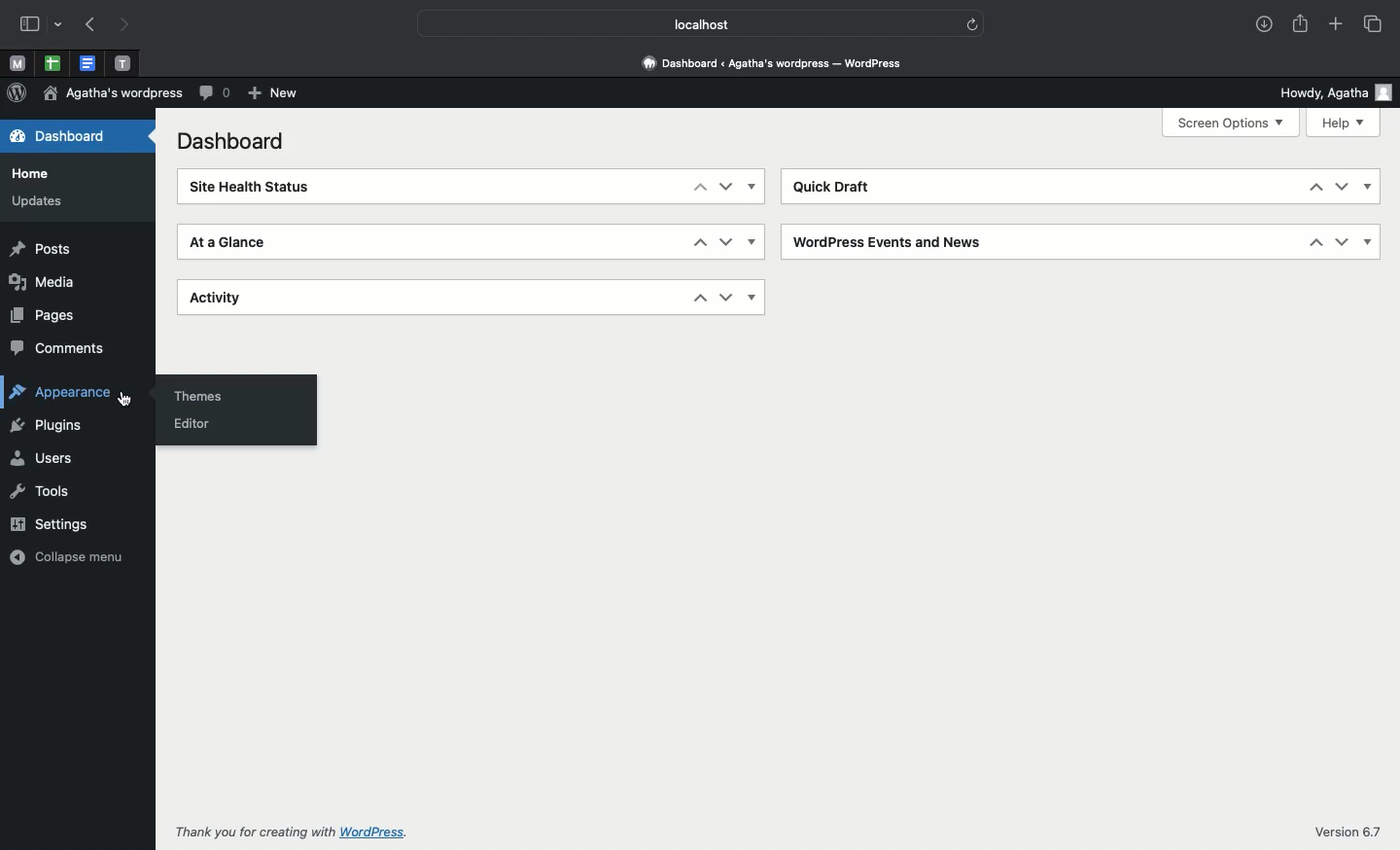 Image resolution: width=1400 pixels, height=850 pixels. Describe the element at coordinates (1266, 26) in the screenshot. I see `Downloads` at that location.